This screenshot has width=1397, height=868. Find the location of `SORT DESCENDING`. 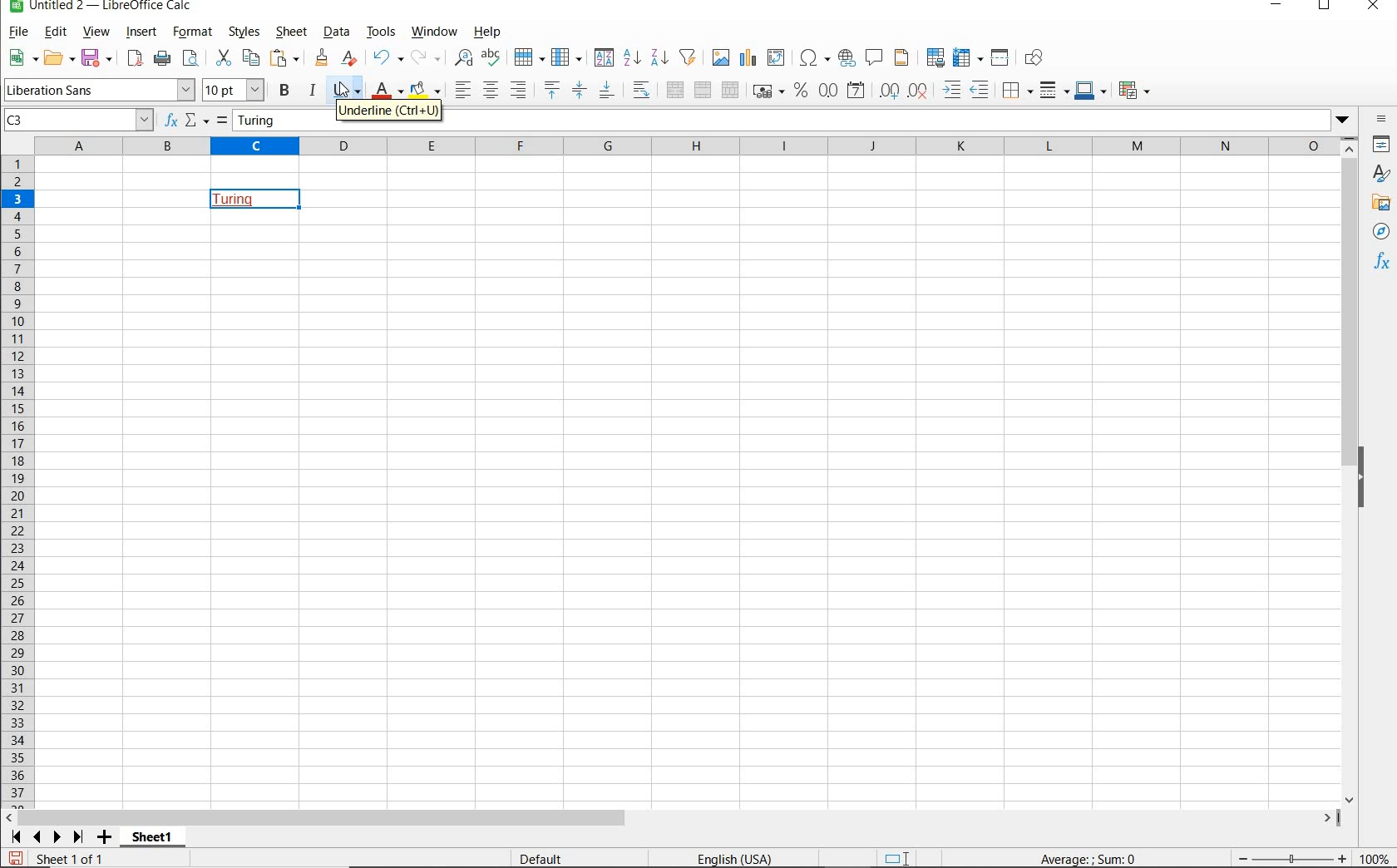

SORT DESCENDING is located at coordinates (659, 60).